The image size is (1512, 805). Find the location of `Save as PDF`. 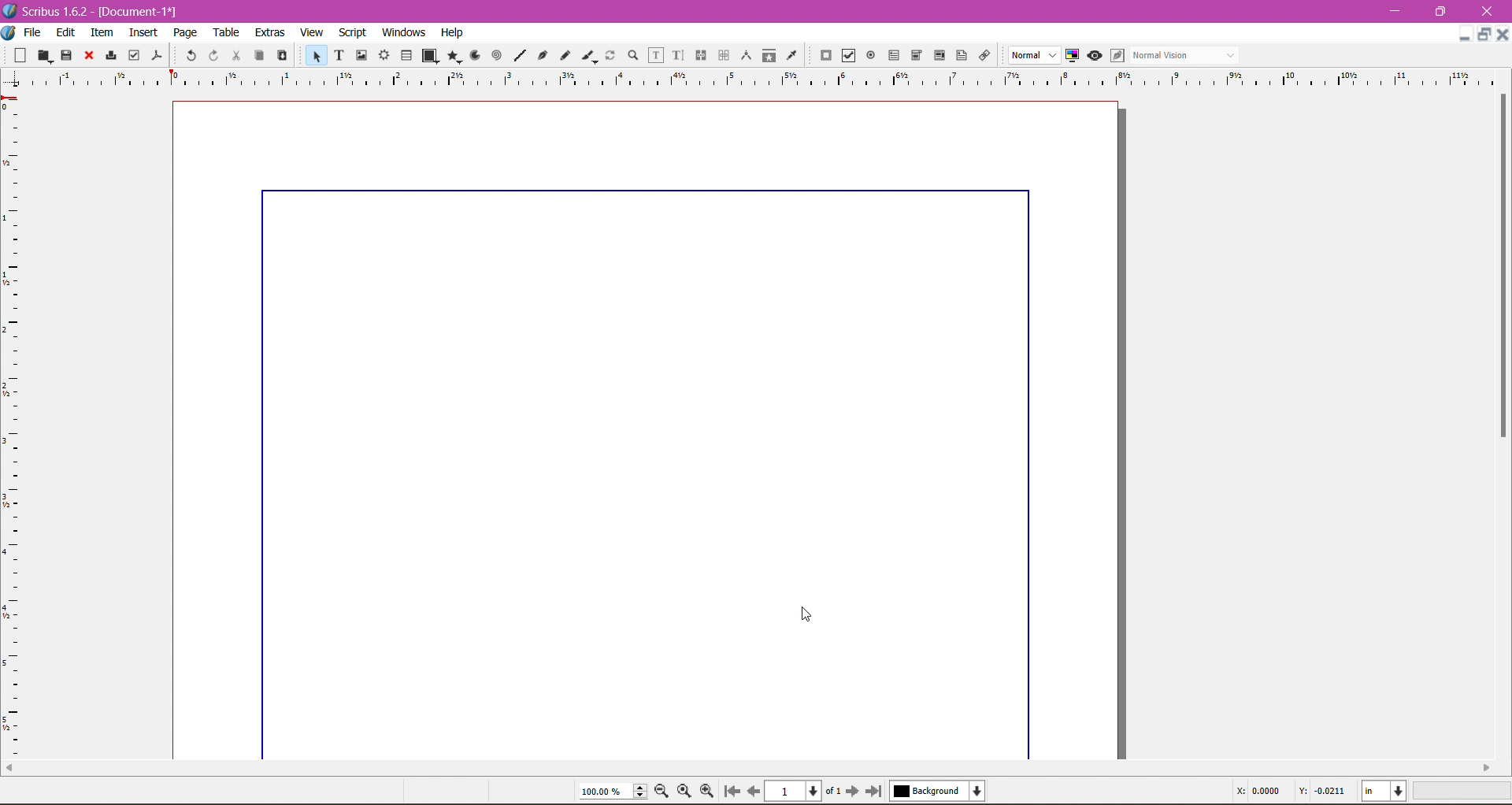

Save as PDF is located at coordinates (158, 54).